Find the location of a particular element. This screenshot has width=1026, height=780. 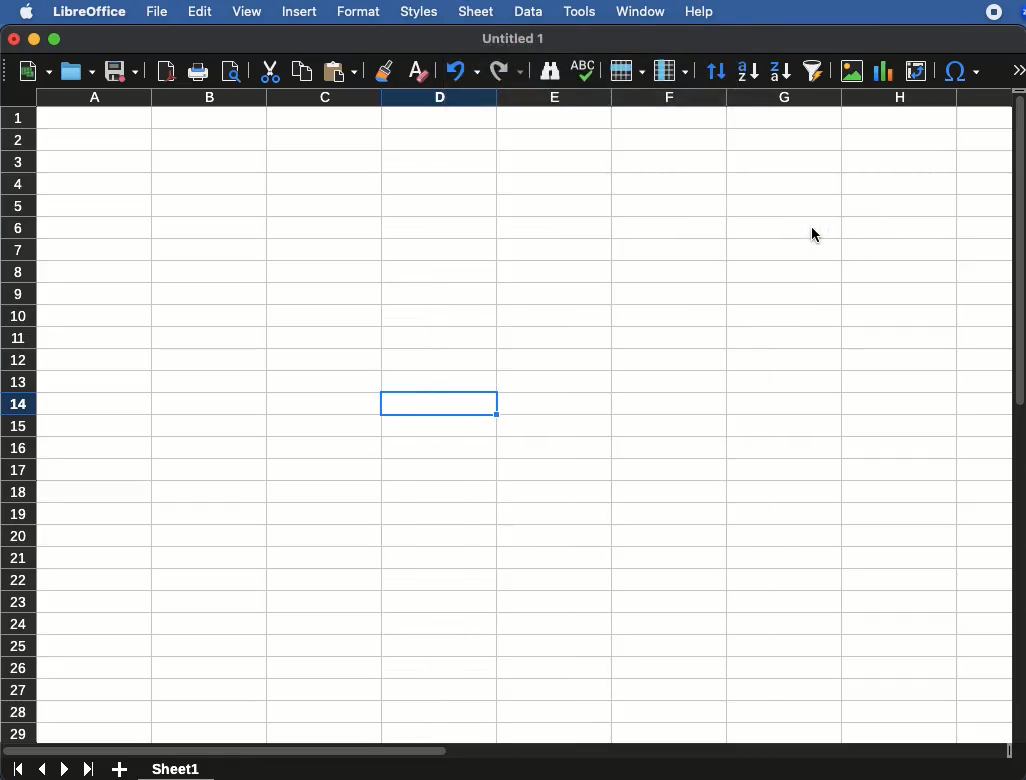

next sheet is located at coordinates (66, 770).